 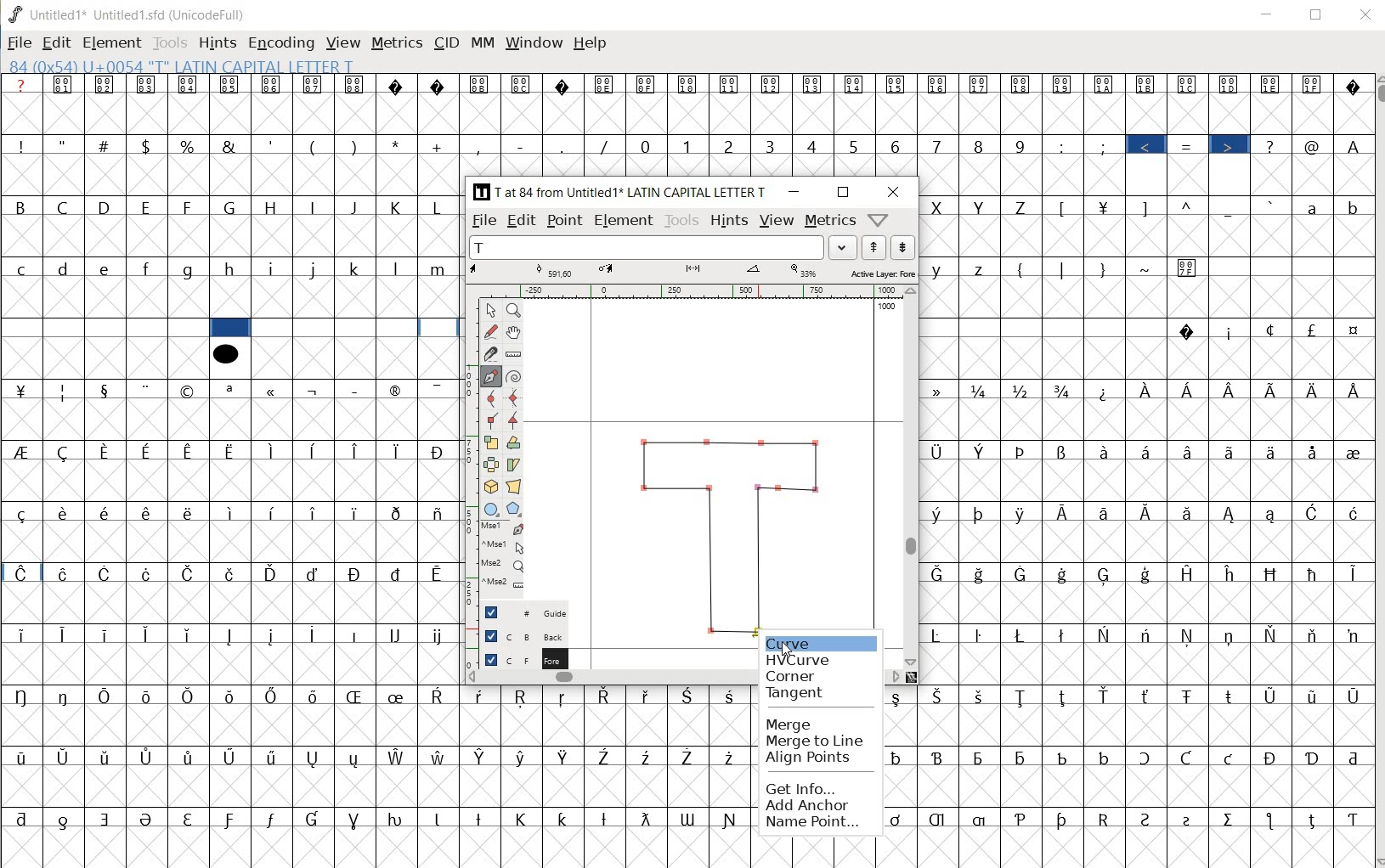 I want to click on minimize, so click(x=1268, y=14).